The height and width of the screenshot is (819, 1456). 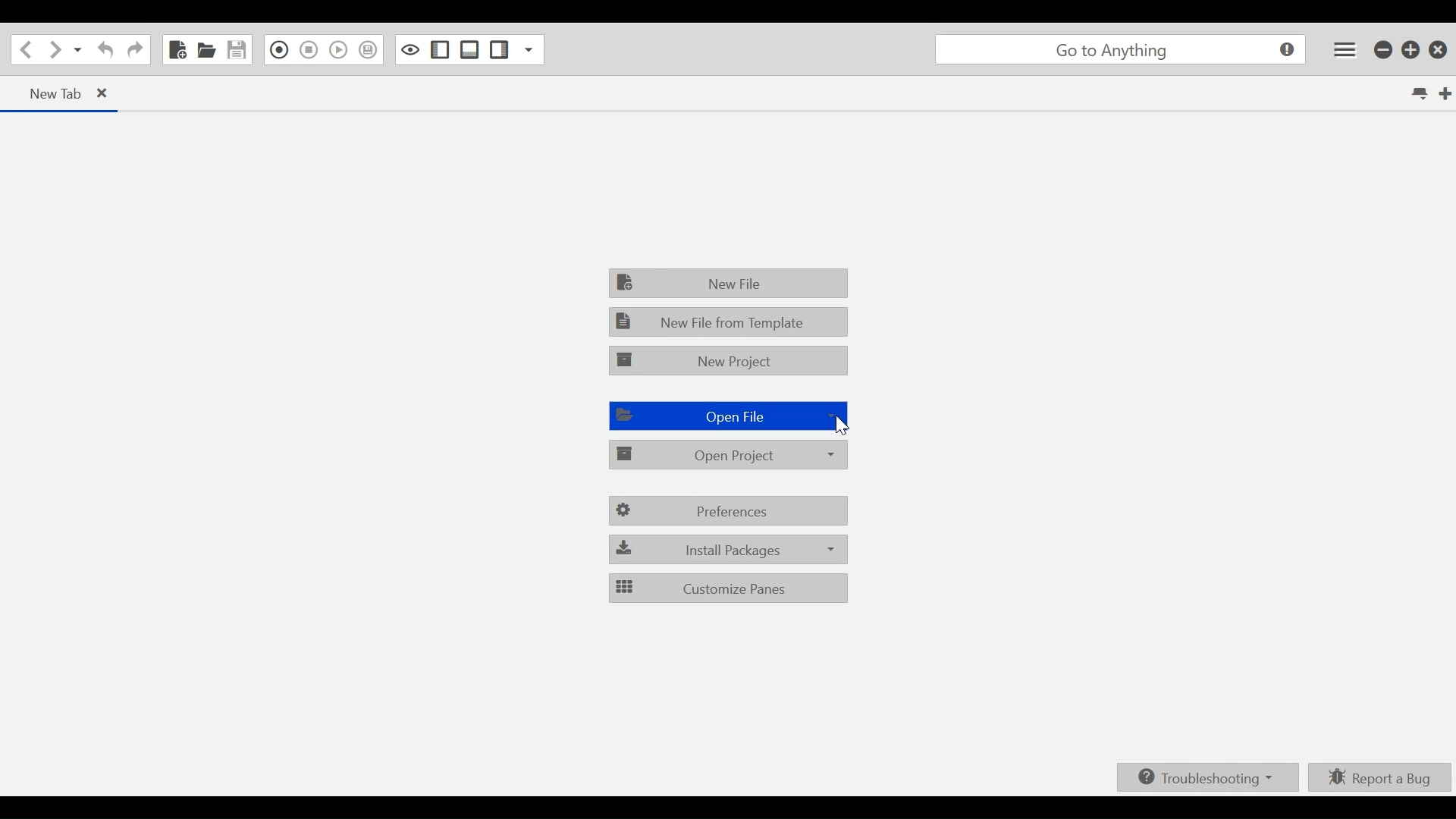 What do you see at coordinates (499, 50) in the screenshot?
I see `Show/Hide Right Pane ` at bounding box center [499, 50].